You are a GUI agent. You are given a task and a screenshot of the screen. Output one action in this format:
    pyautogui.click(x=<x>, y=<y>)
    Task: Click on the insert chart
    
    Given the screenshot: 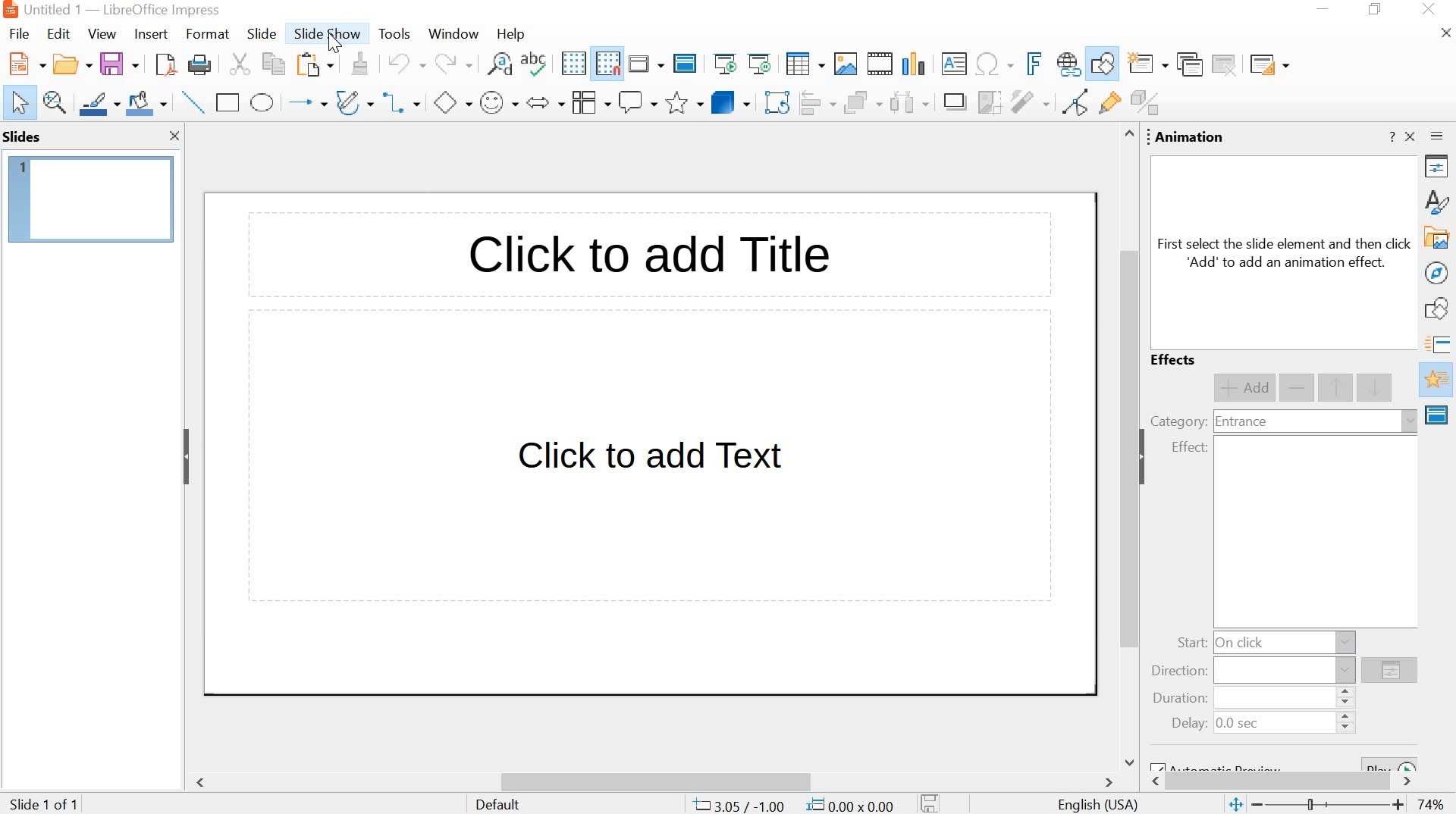 What is the action you would take?
    pyautogui.click(x=917, y=63)
    